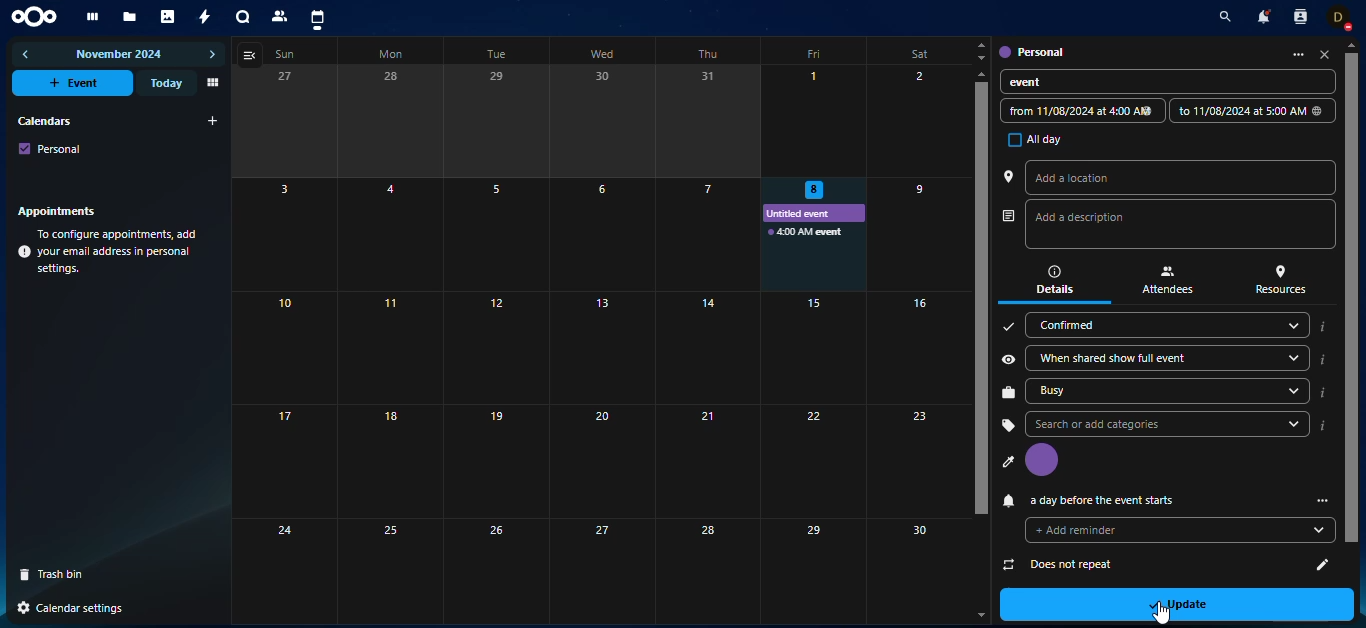  What do you see at coordinates (38, 15) in the screenshot?
I see `nextcloud` at bounding box center [38, 15].